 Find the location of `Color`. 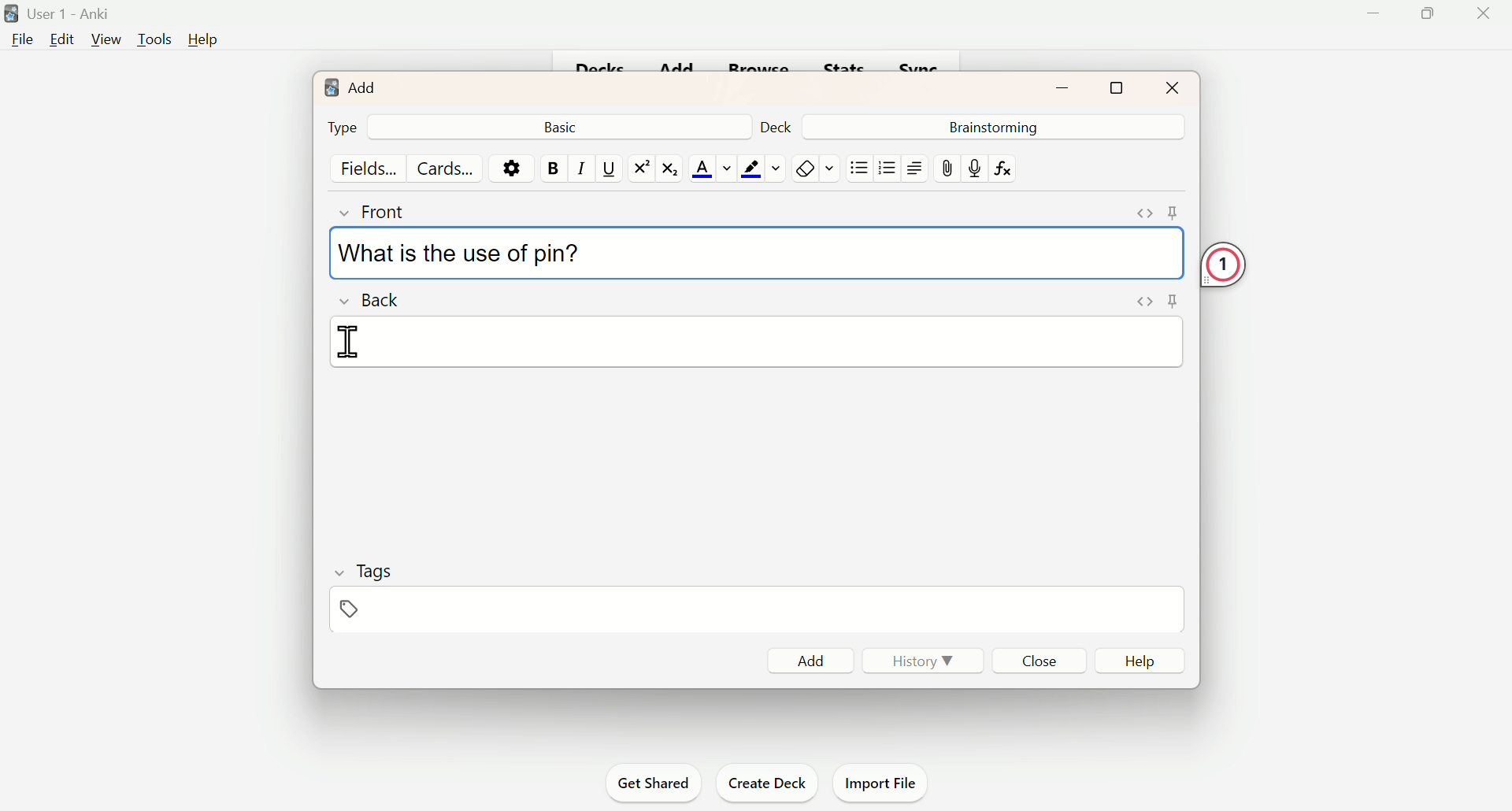

Color is located at coordinates (761, 168).